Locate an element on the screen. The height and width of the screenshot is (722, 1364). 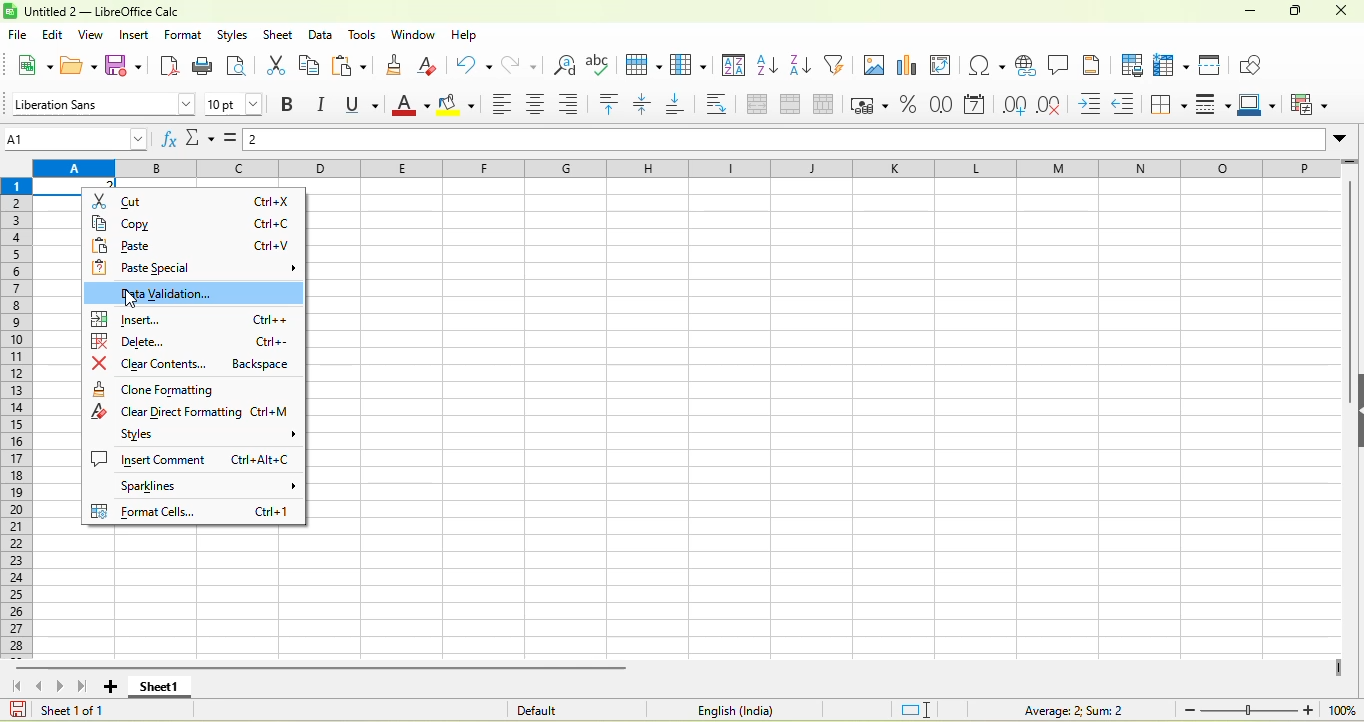
horizontal scroll bar is located at coordinates (324, 667).